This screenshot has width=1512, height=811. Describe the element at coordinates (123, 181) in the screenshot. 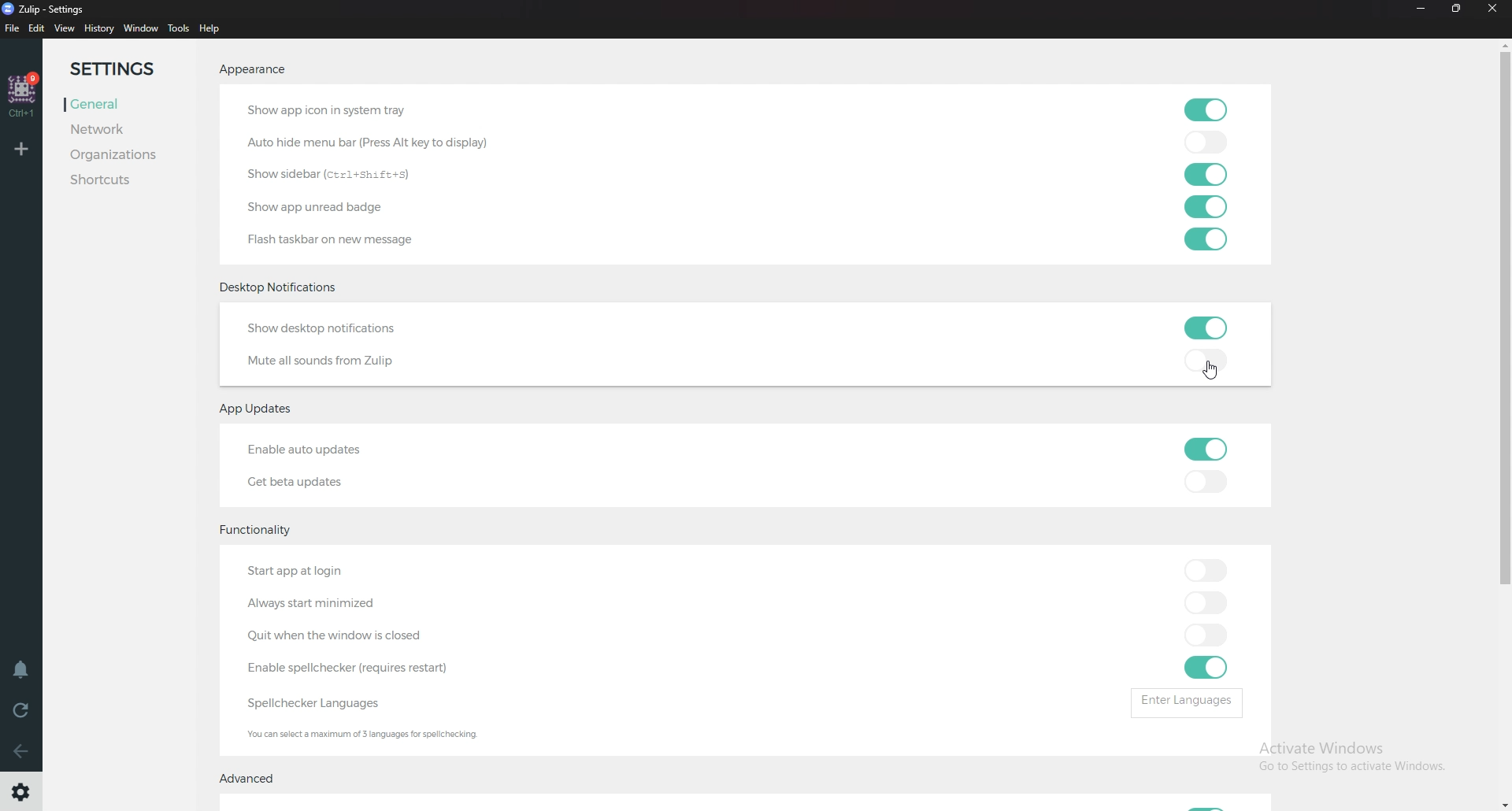

I see `Shortcuts` at that location.